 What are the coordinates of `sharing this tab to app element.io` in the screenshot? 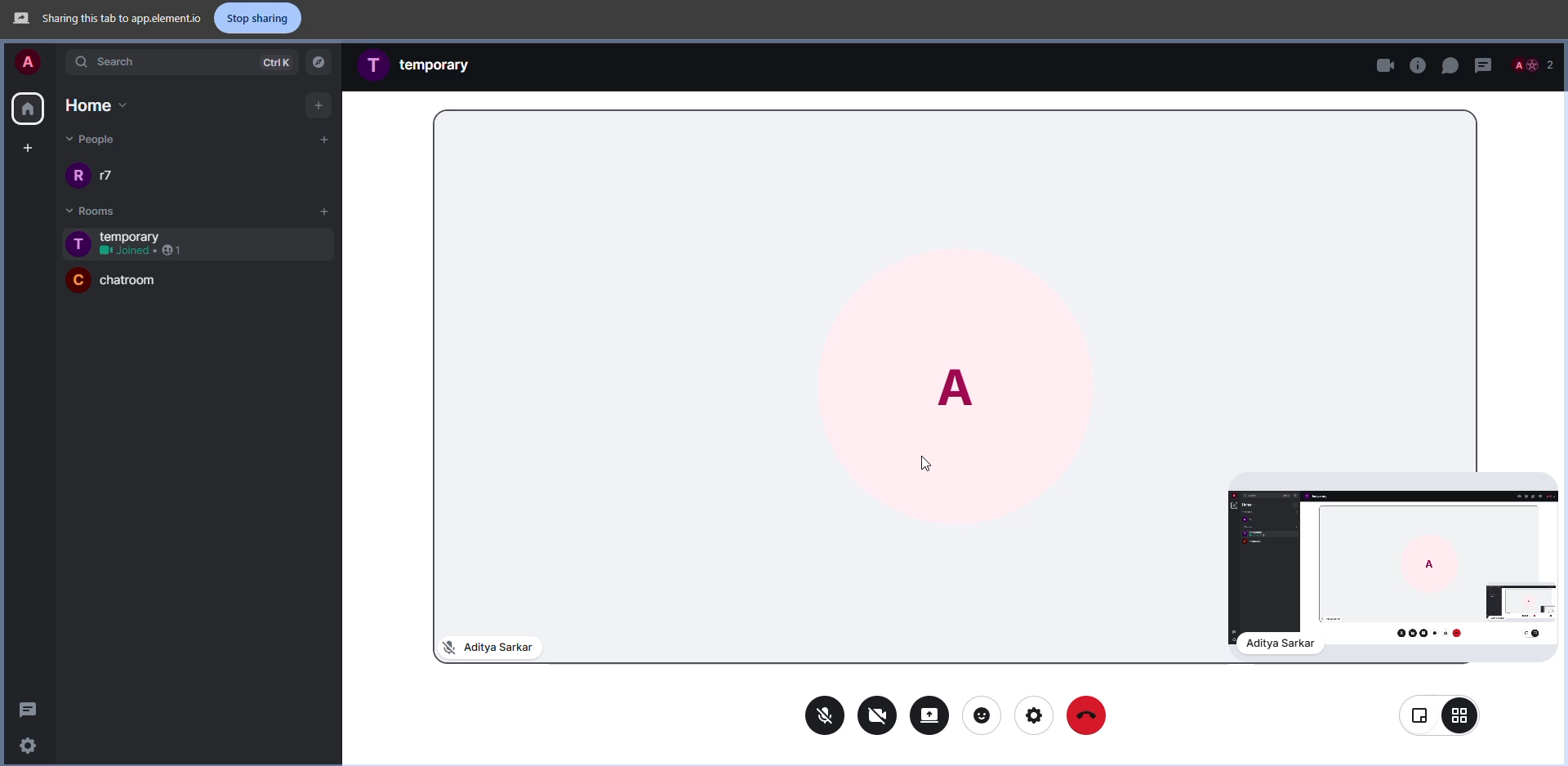 It's located at (103, 17).